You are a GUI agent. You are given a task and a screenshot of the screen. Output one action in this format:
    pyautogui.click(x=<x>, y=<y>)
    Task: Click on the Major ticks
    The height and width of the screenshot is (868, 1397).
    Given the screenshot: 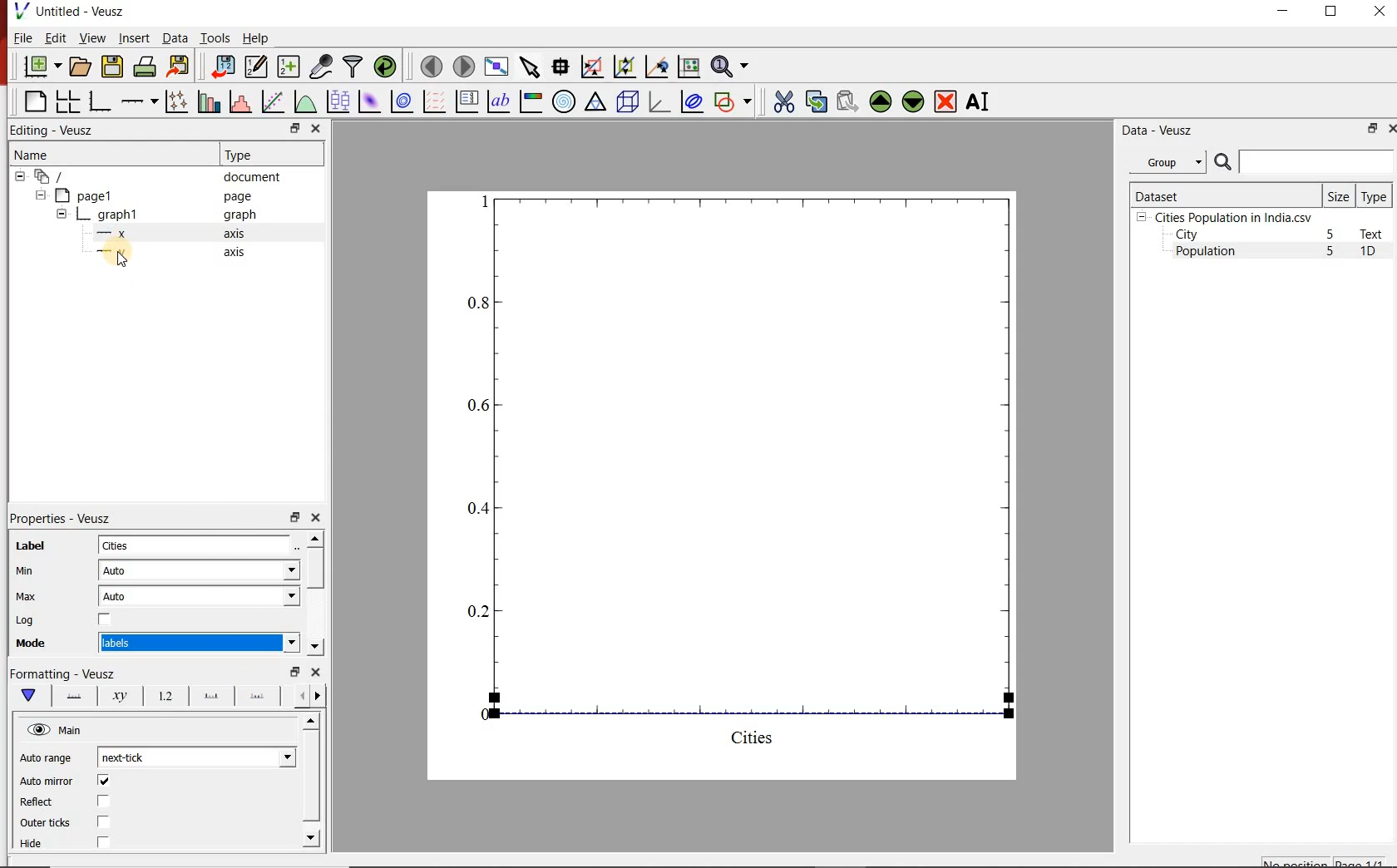 What is the action you would take?
    pyautogui.click(x=206, y=698)
    